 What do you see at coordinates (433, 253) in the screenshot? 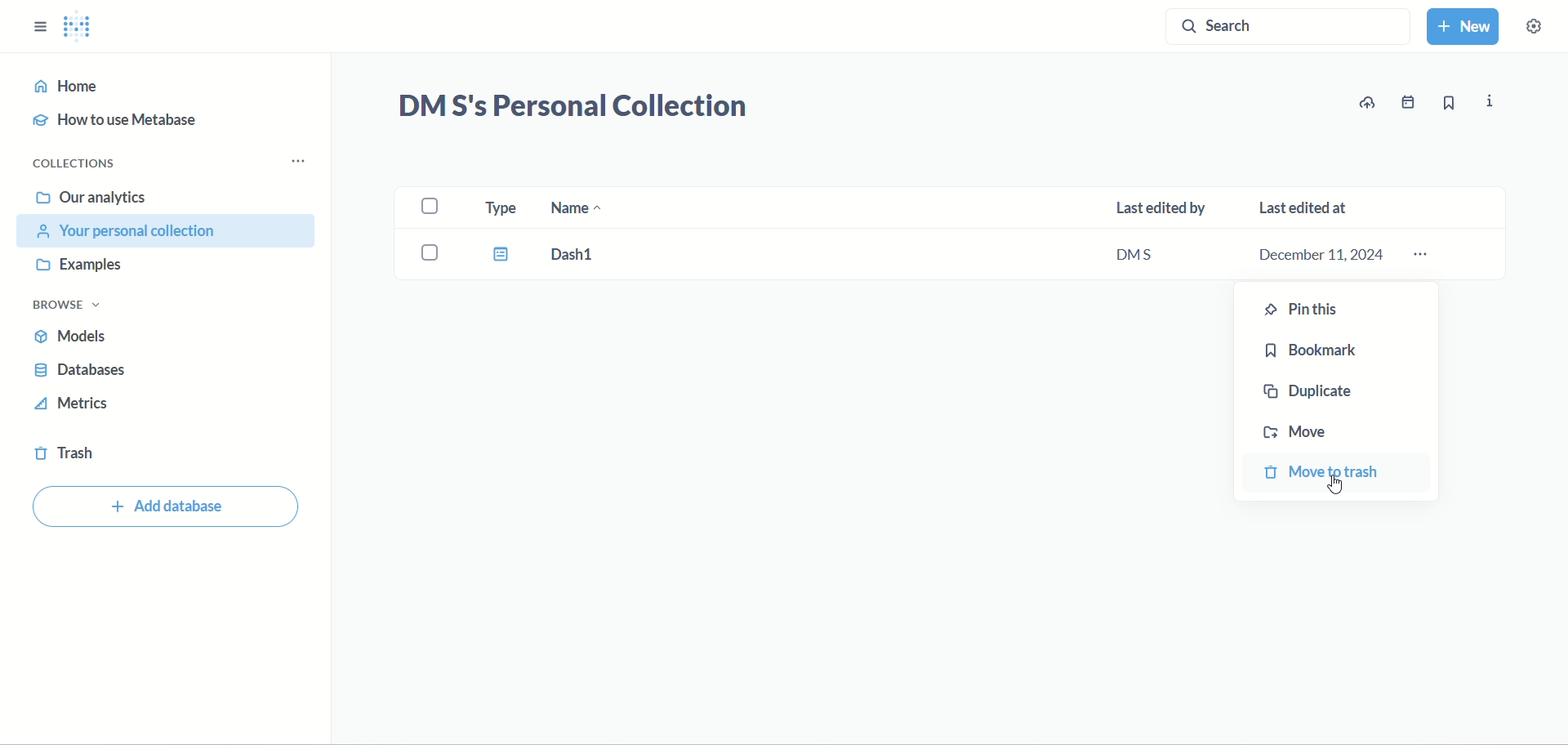
I see `select dash1 checkbox` at bounding box center [433, 253].